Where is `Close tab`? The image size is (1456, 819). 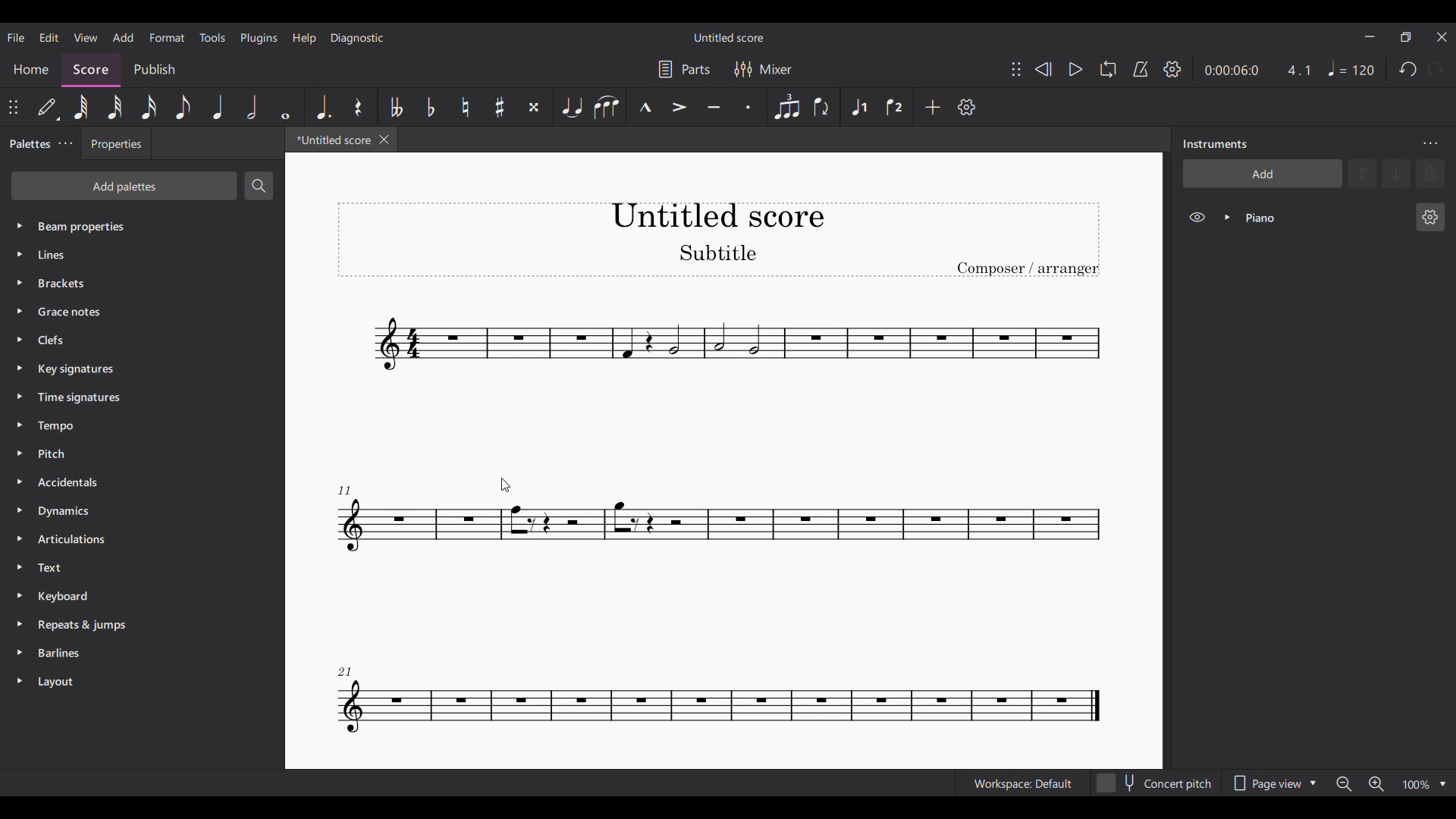 Close tab is located at coordinates (384, 140).